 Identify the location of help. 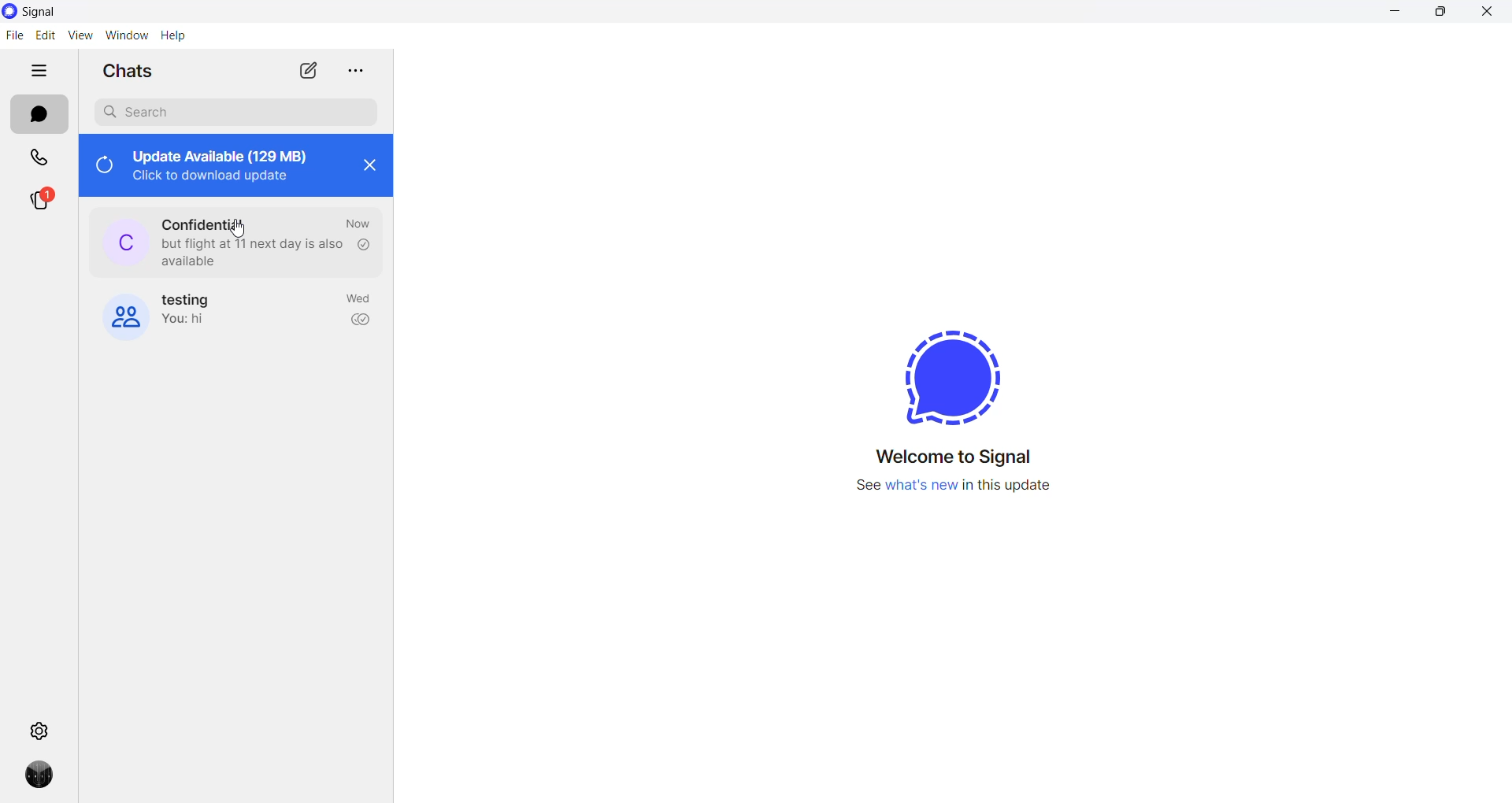
(176, 37).